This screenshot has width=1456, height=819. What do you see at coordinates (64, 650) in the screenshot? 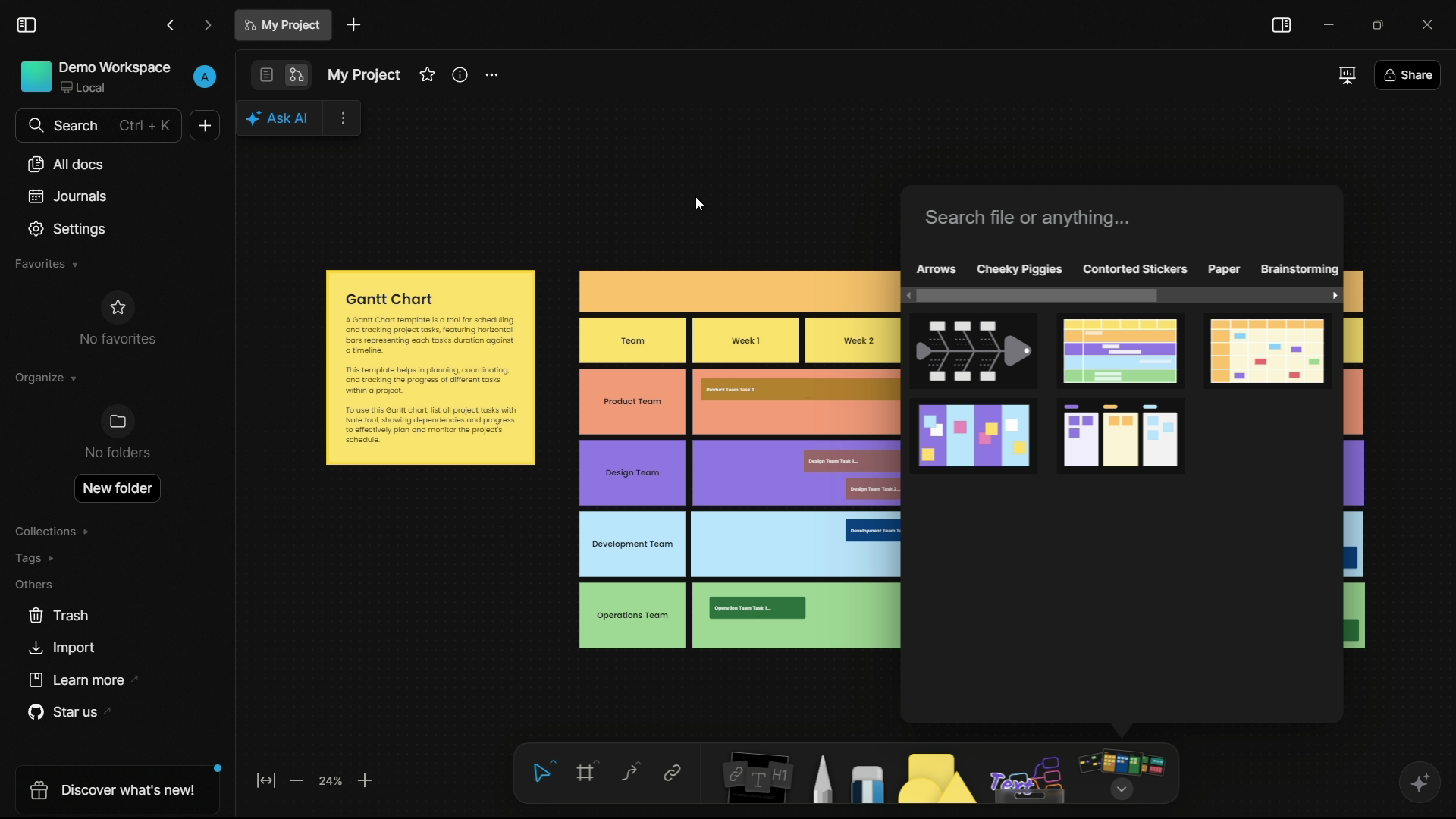
I see `import` at bounding box center [64, 650].